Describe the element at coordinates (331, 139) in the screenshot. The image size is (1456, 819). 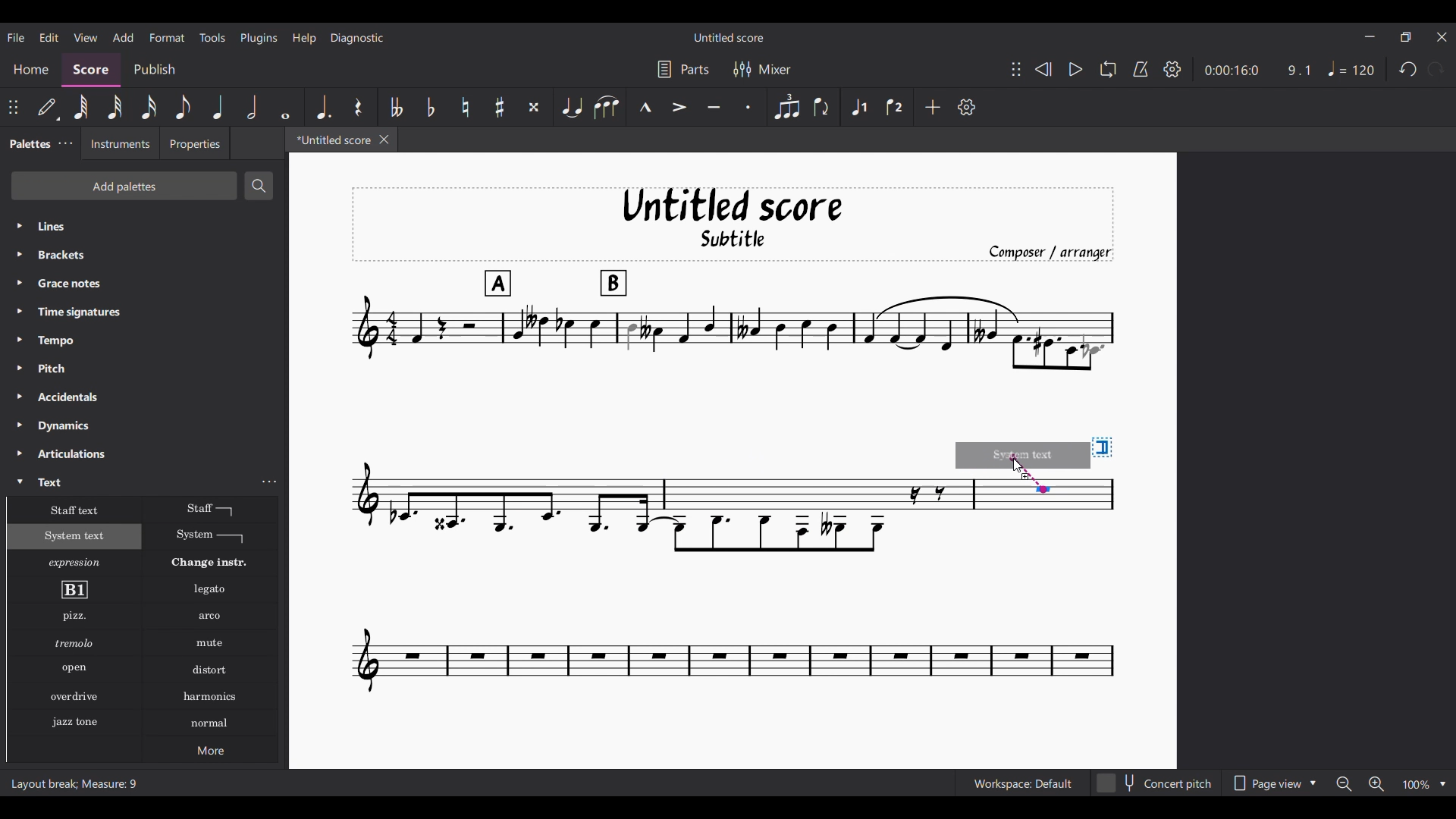
I see `*Untitled score, current tab` at that location.